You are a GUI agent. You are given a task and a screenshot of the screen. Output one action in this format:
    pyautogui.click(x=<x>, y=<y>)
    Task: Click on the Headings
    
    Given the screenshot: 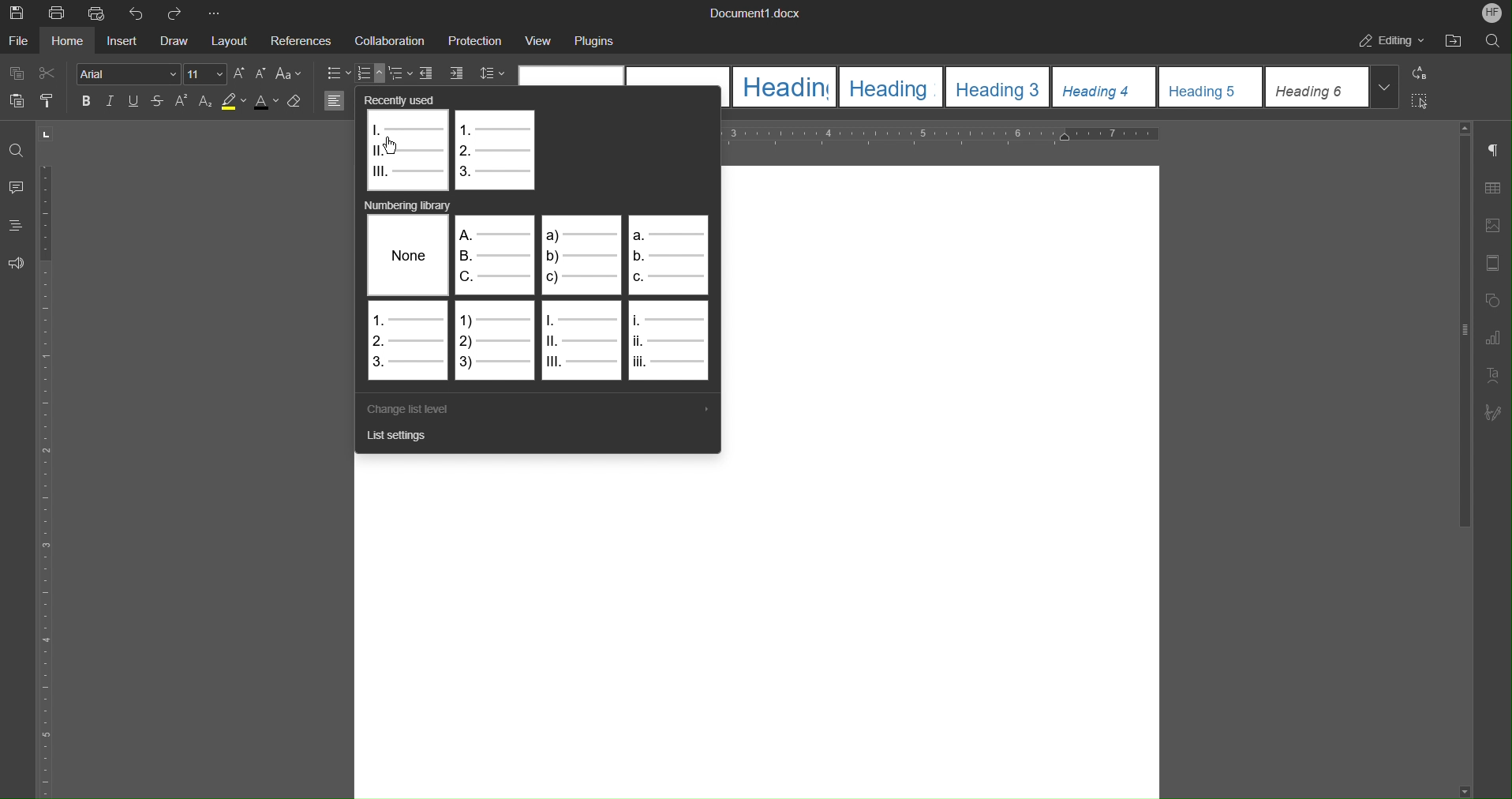 What is the action you would take?
    pyautogui.click(x=17, y=225)
    